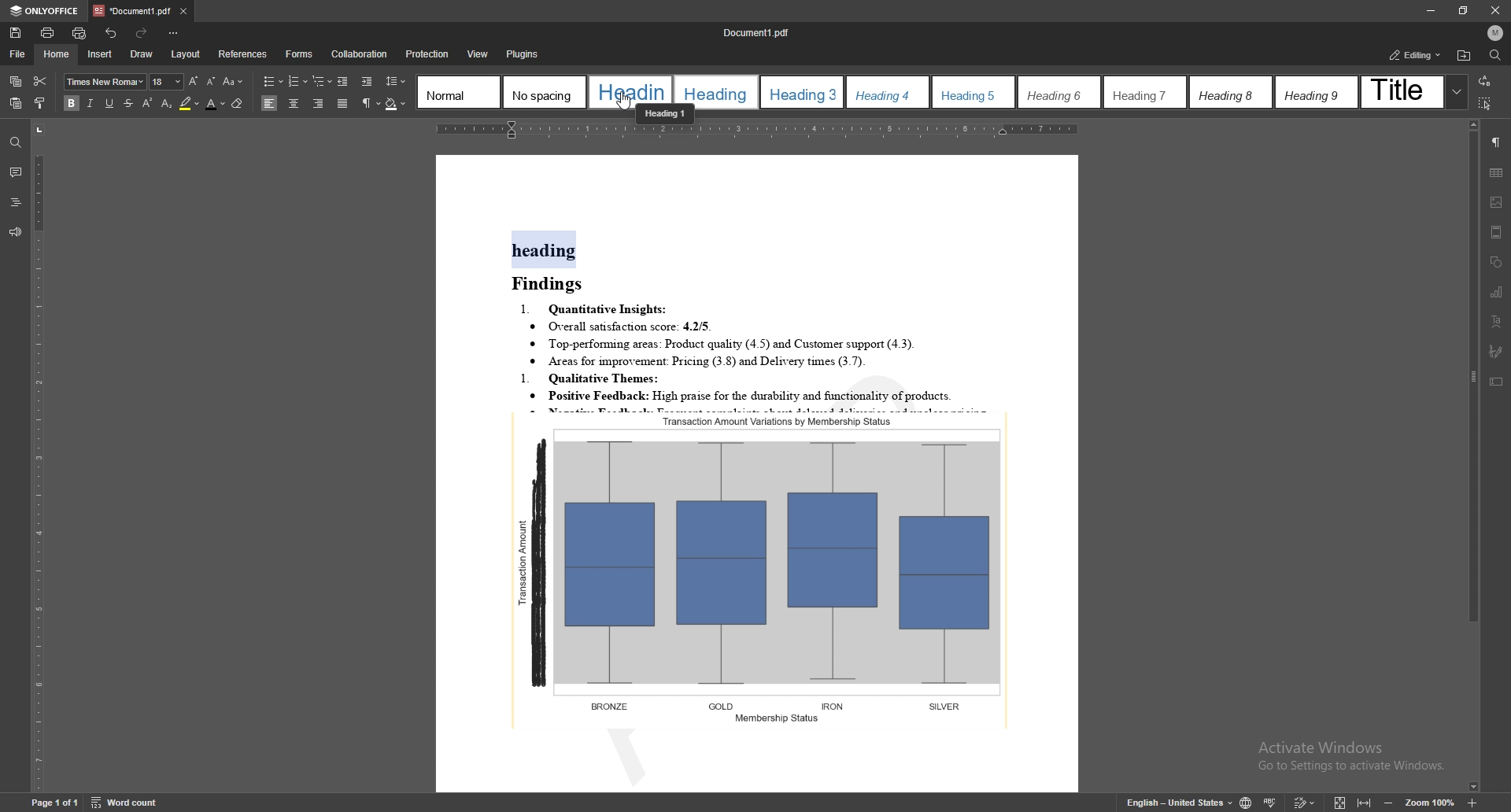 The height and width of the screenshot is (812, 1511). What do you see at coordinates (1304, 802) in the screenshot?
I see `track change` at bounding box center [1304, 802].